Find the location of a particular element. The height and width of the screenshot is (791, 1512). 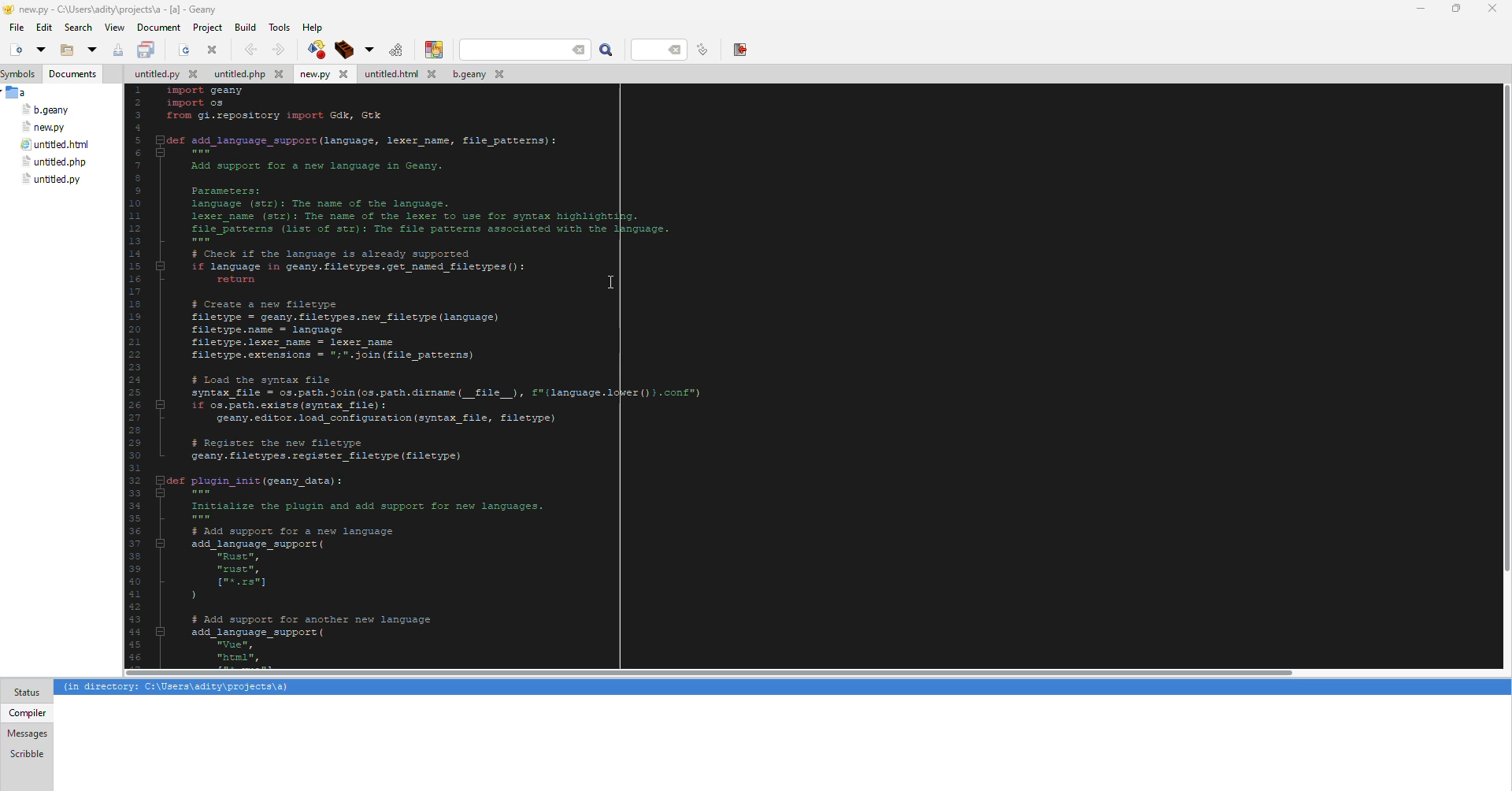

view is located at coordinates (114, 28).